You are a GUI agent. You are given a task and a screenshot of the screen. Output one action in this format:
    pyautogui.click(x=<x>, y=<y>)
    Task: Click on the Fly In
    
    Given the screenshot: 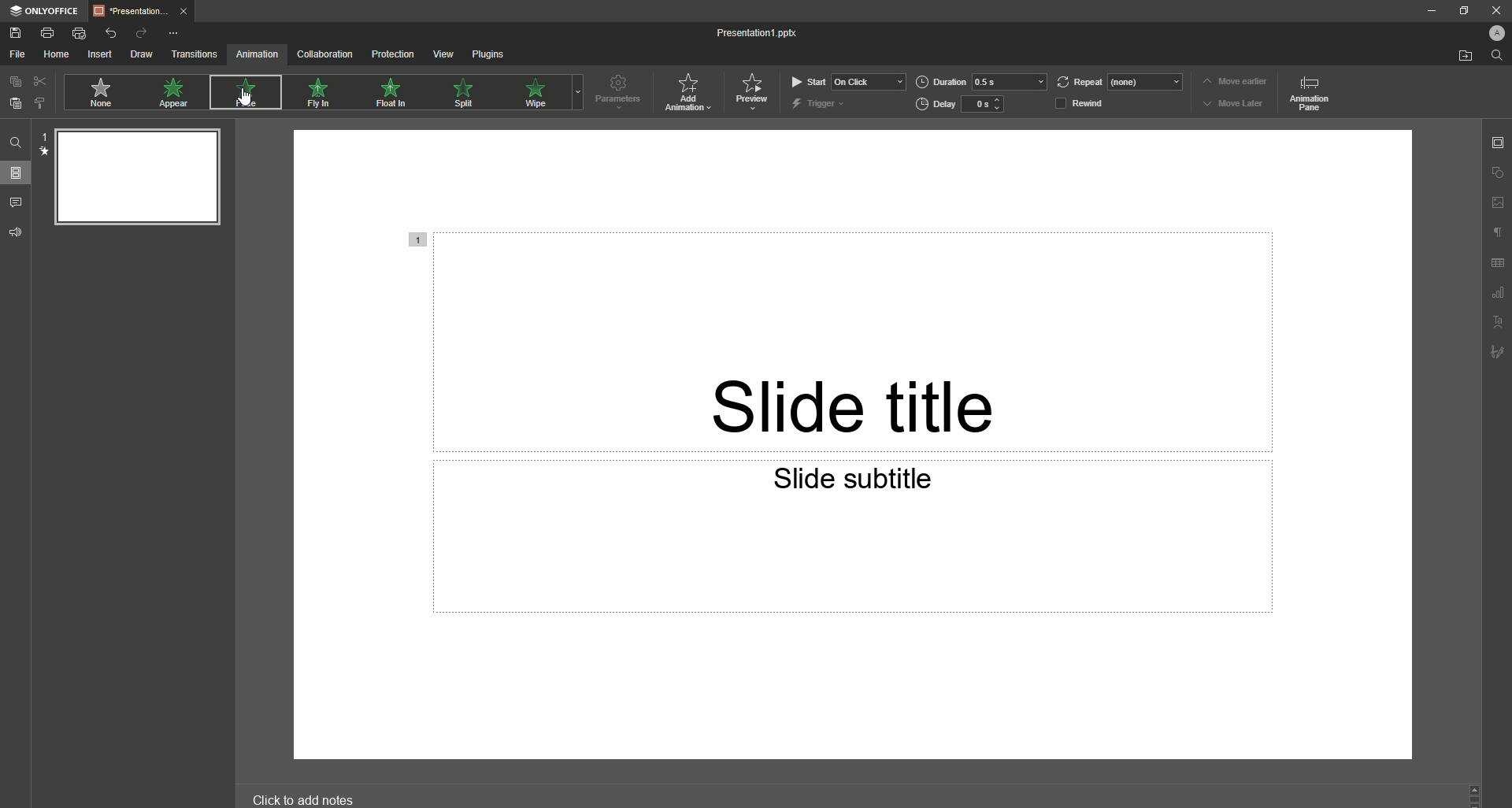 What is the action you would take?
    pyautogui.click(x=317, y=93)
    